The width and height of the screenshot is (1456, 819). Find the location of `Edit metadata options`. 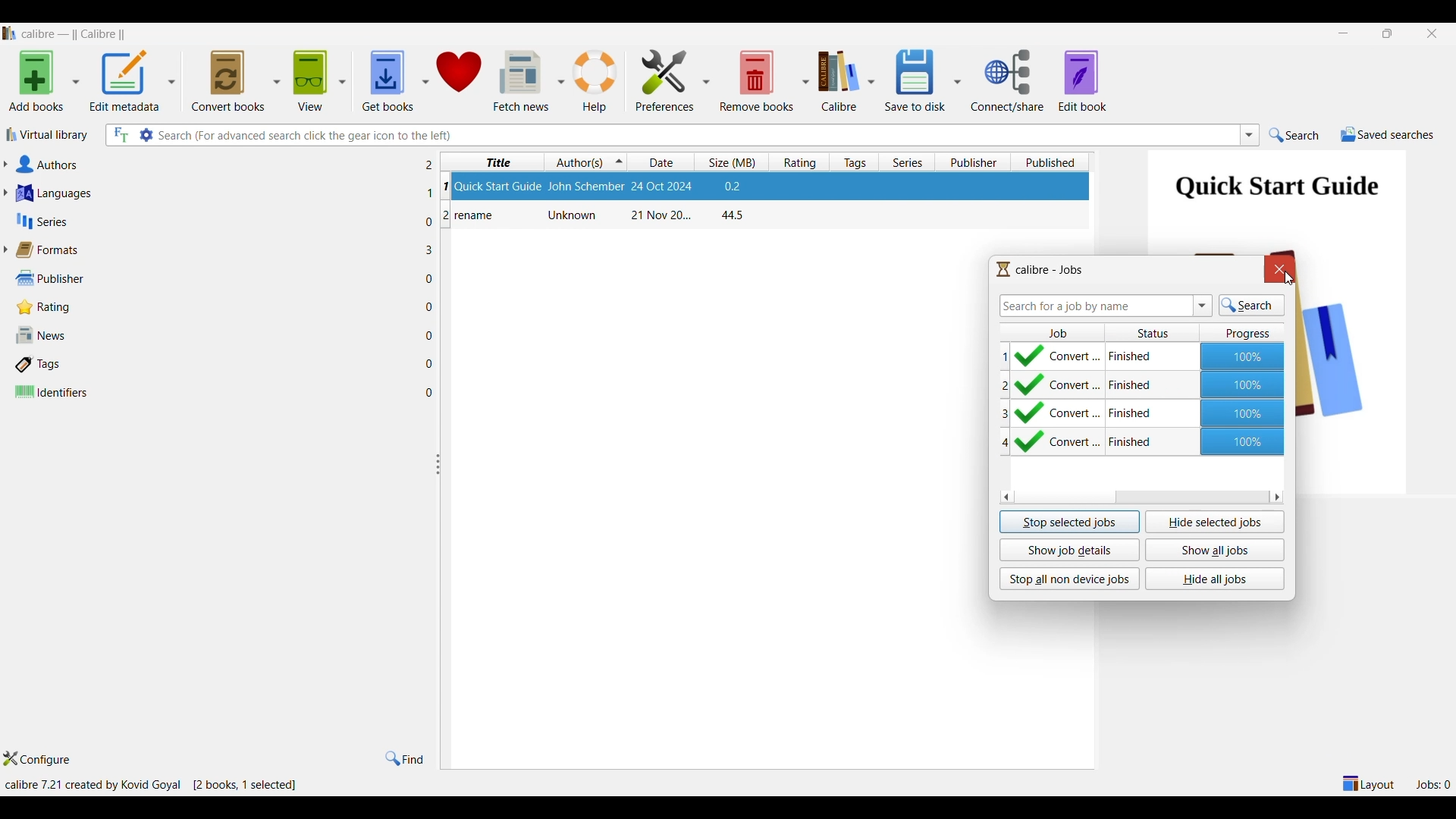

Edit metadata options is located at coordinates (171, 81).